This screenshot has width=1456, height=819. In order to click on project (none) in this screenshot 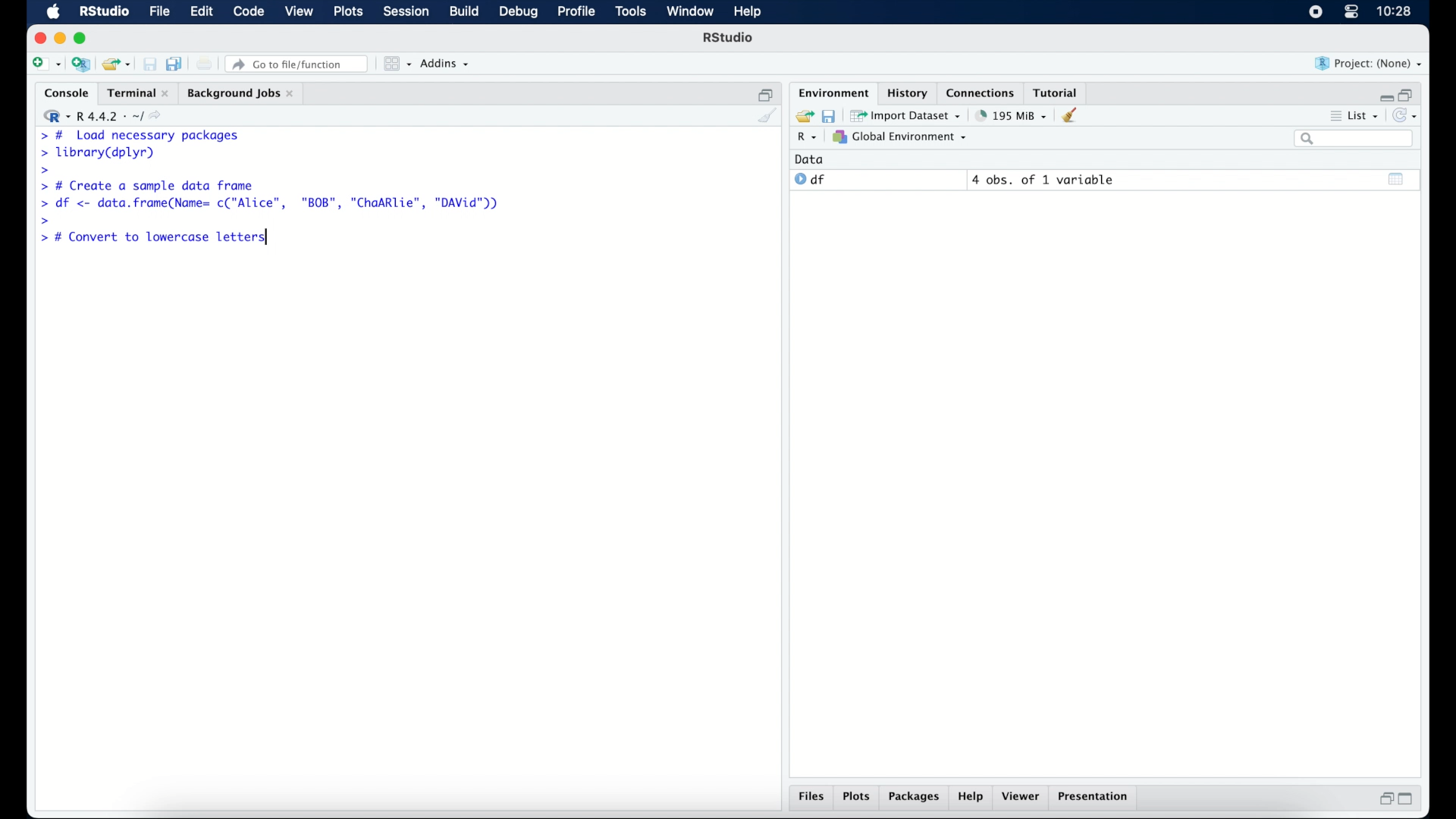, I will do `click(1370, 64)`.